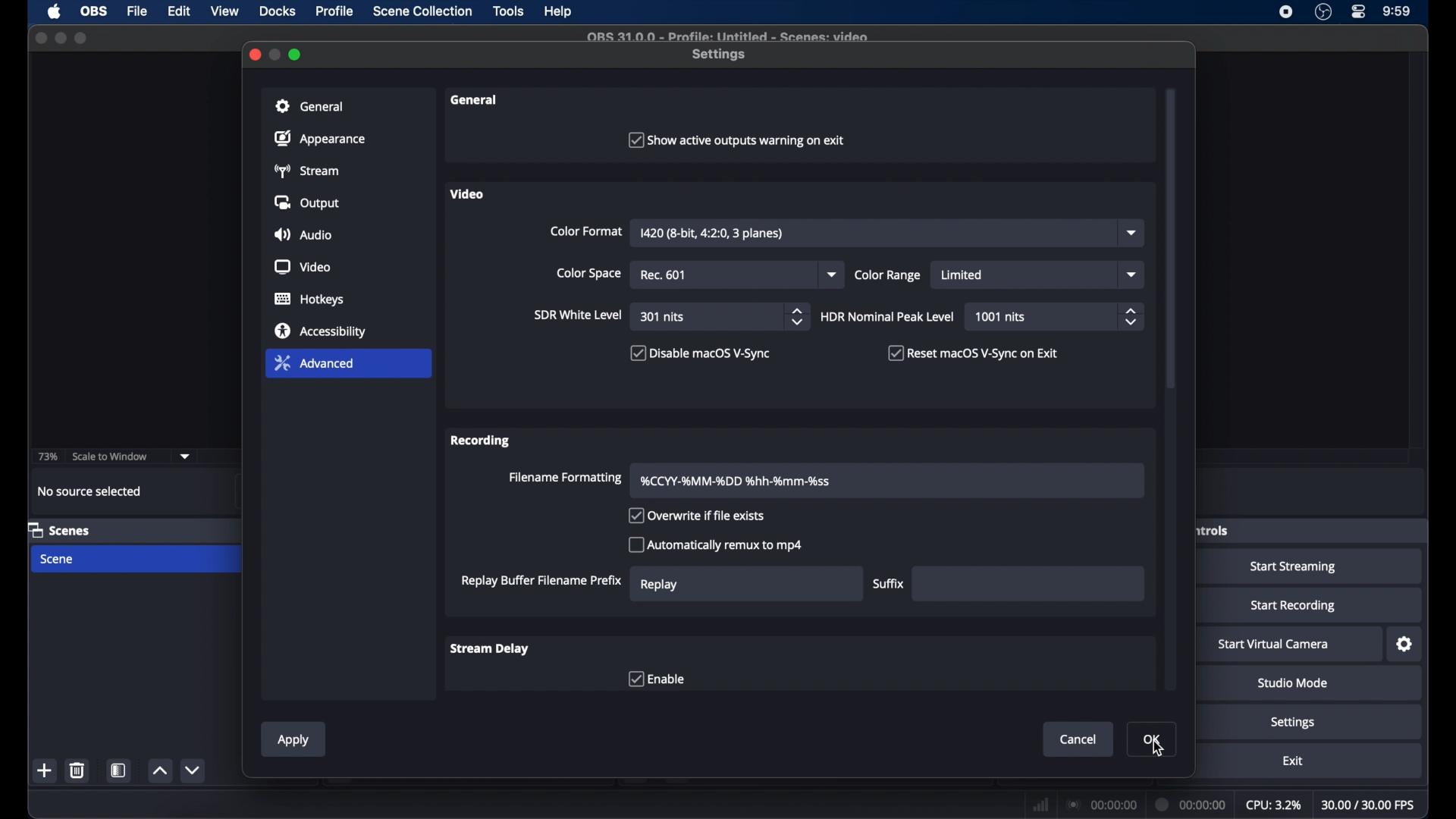 The width and height of the screenshot is (1456, 819). I want to click on add, so click(45, 772).